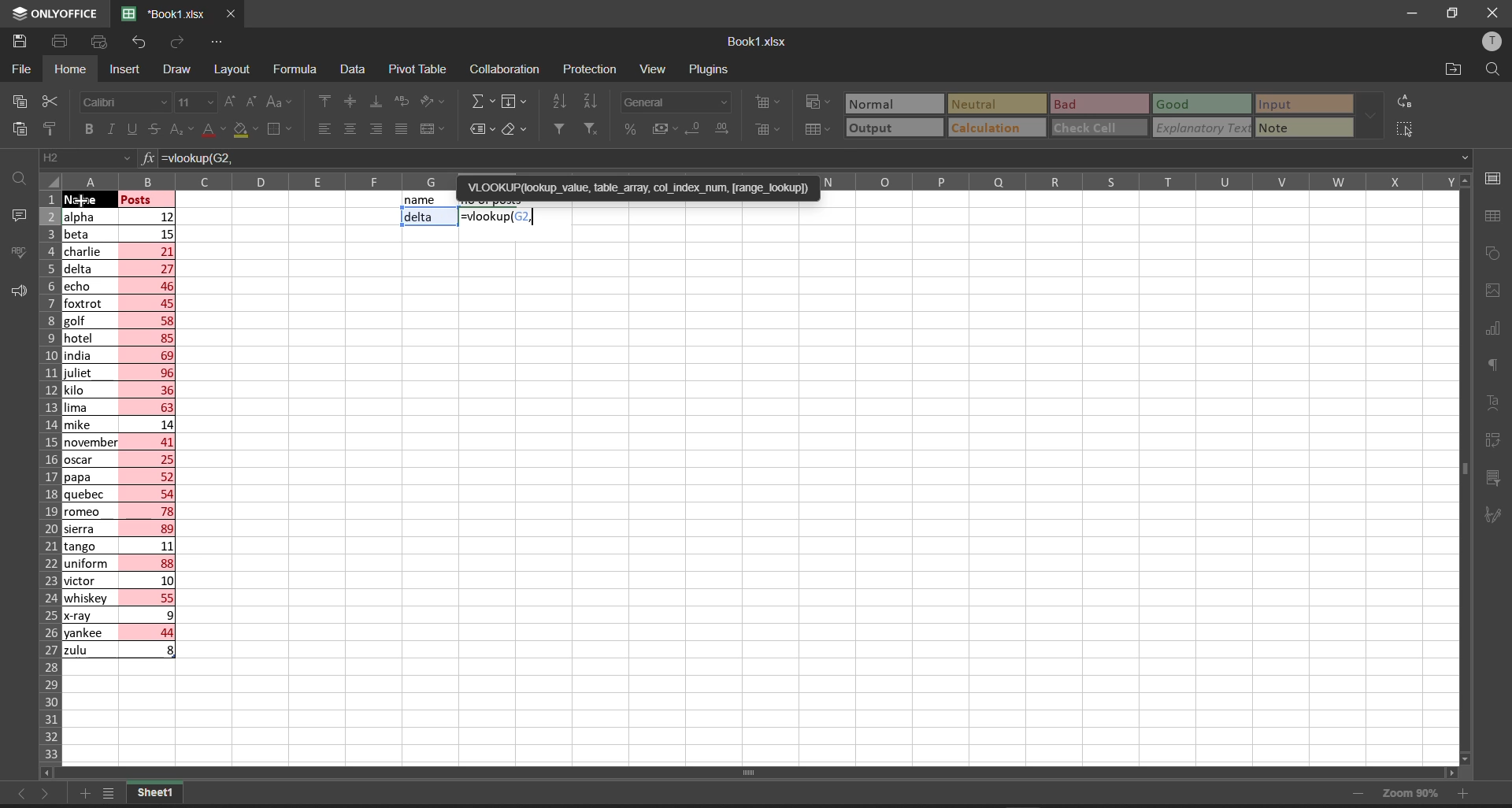 The width and height of the screenshot is (1512, 808). Describe the element at coordinates (817, 129) in the screenshot. I see `format as table` at that location.